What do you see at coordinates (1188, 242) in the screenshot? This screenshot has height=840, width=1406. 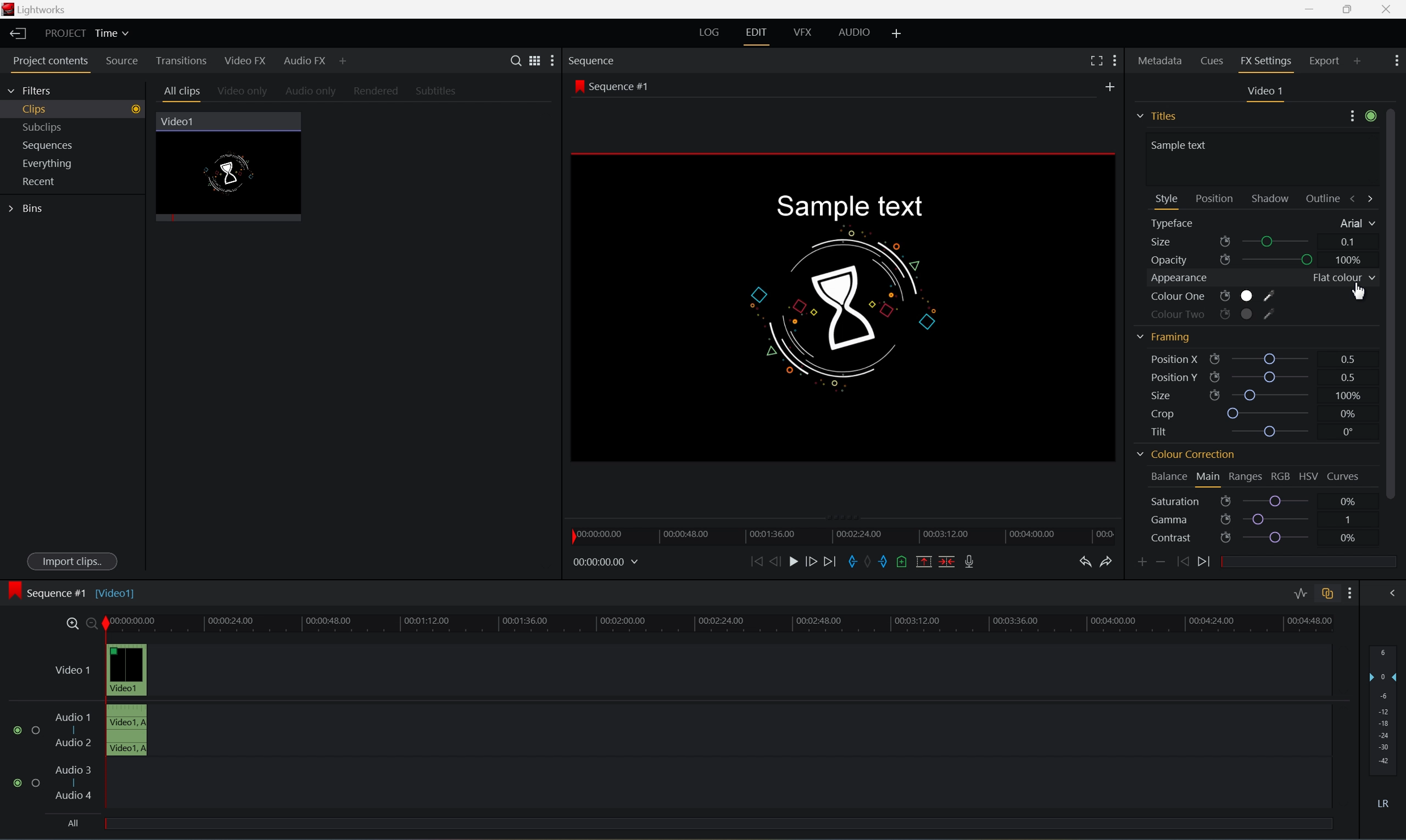 I see `size` at bounding box center [1188, 242].